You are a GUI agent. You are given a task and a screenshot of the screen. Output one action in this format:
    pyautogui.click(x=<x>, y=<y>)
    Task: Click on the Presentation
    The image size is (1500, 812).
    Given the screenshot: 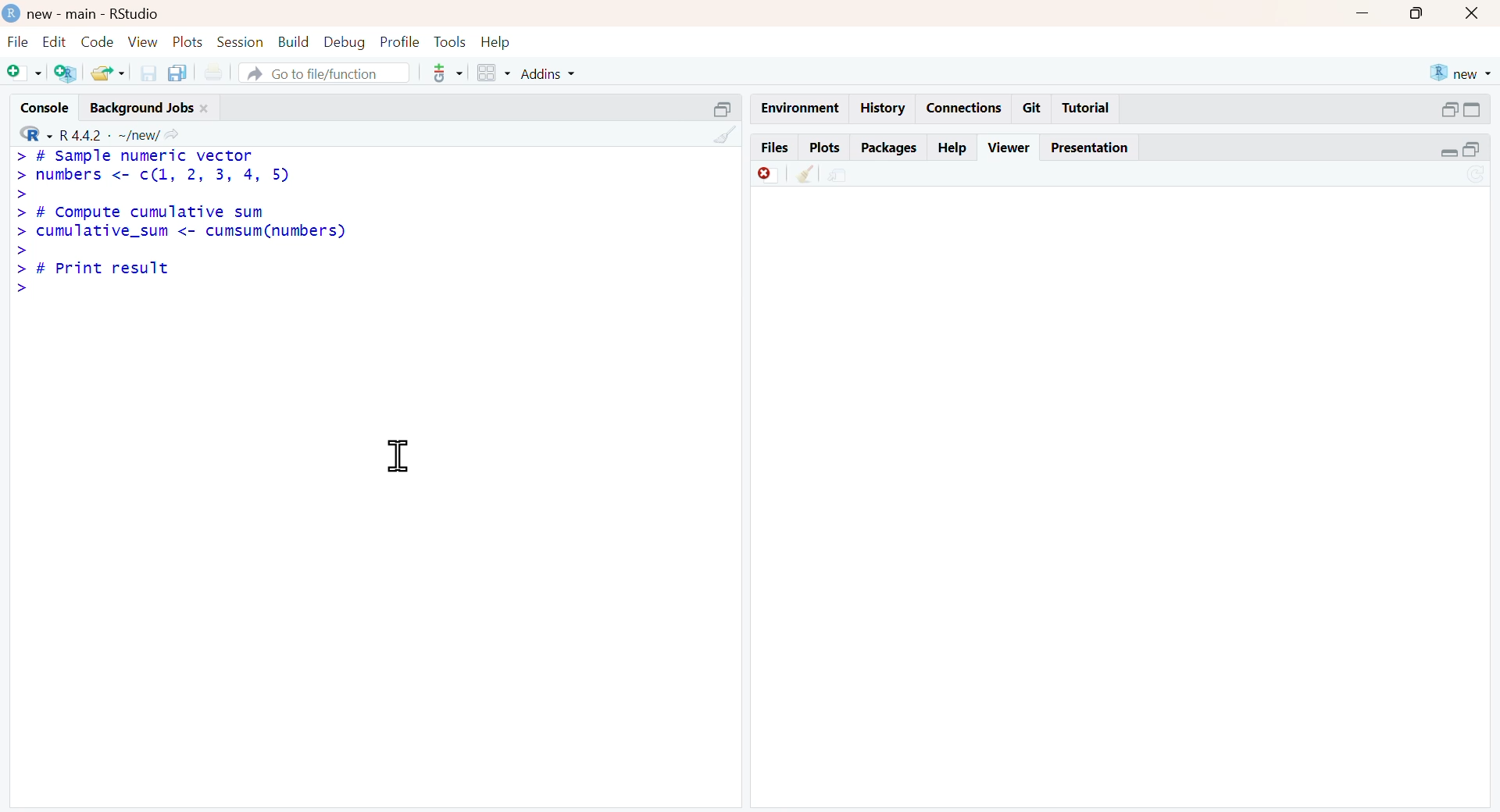 What is the action you would take?
    pyautogui.click(x=1090, y=149)
    